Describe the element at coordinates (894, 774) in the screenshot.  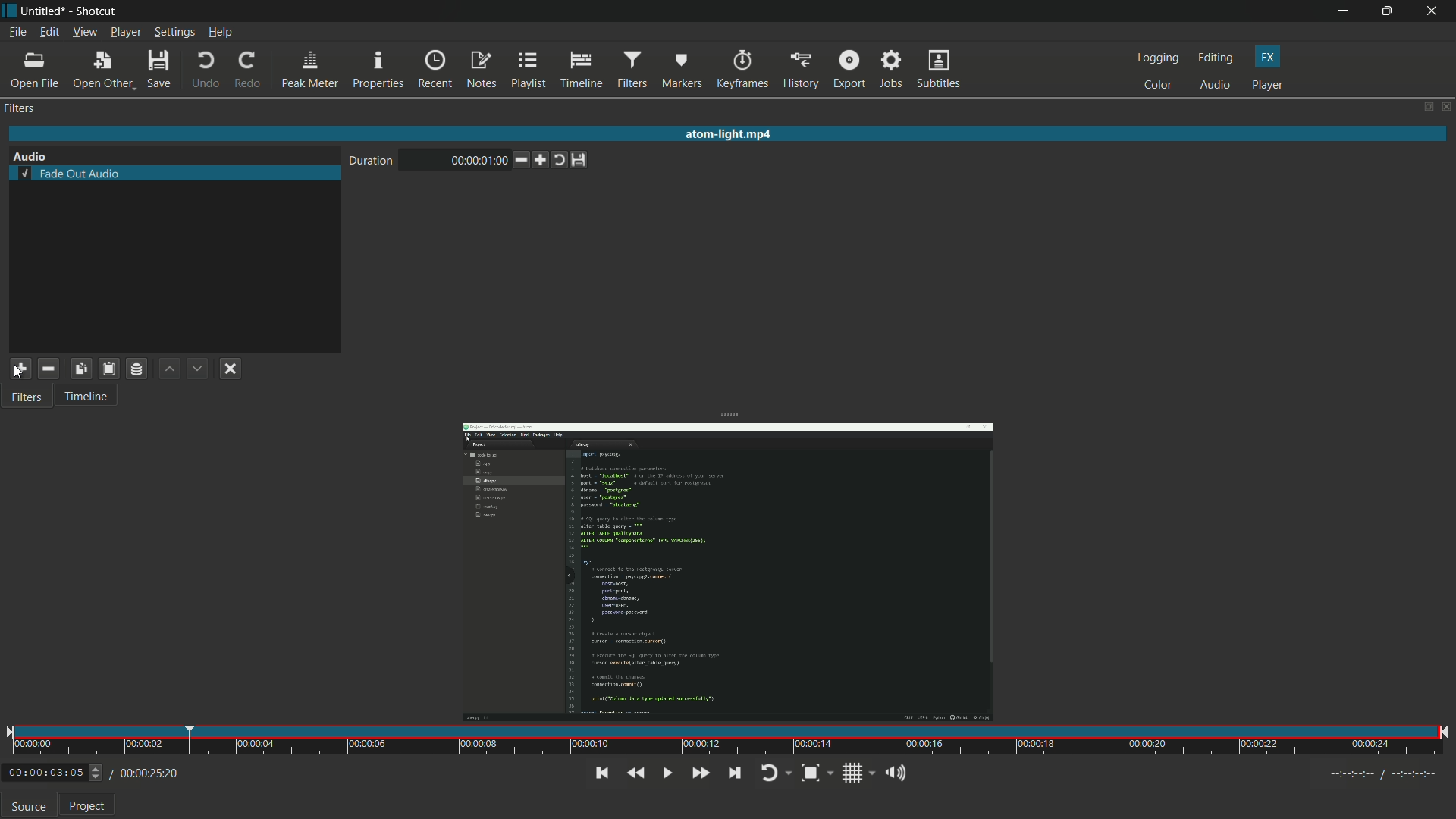
I see `show volume control` at that location.